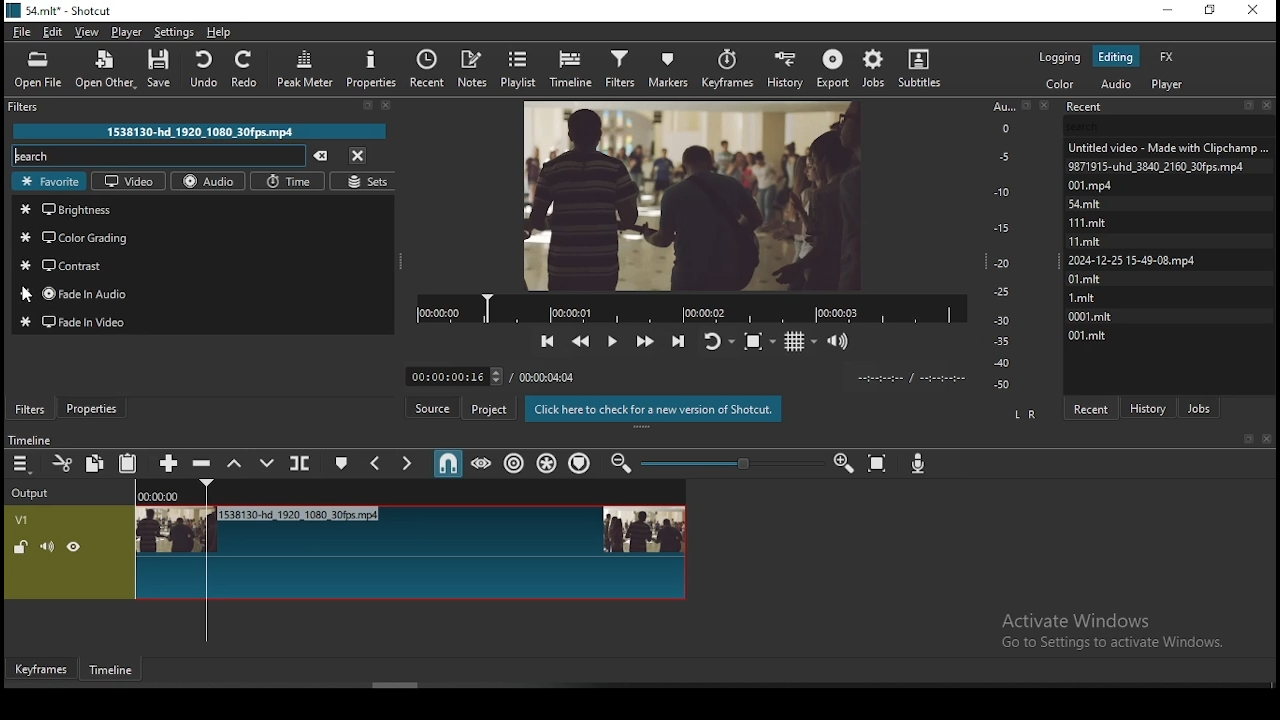  I want to click on close menu, so click(356, 154).